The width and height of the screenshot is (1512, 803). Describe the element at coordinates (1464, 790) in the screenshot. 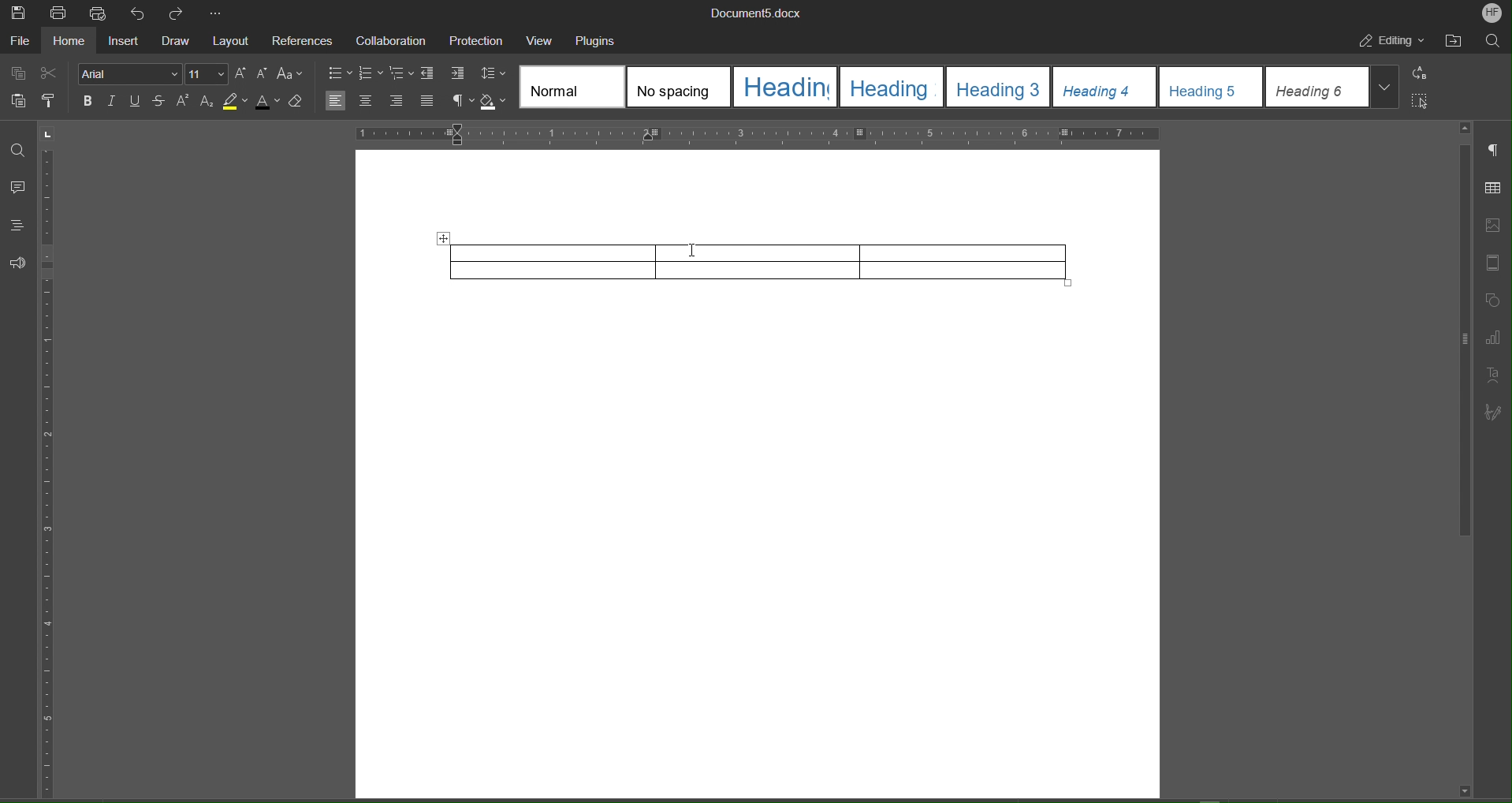

I see `scroll down` at that location.